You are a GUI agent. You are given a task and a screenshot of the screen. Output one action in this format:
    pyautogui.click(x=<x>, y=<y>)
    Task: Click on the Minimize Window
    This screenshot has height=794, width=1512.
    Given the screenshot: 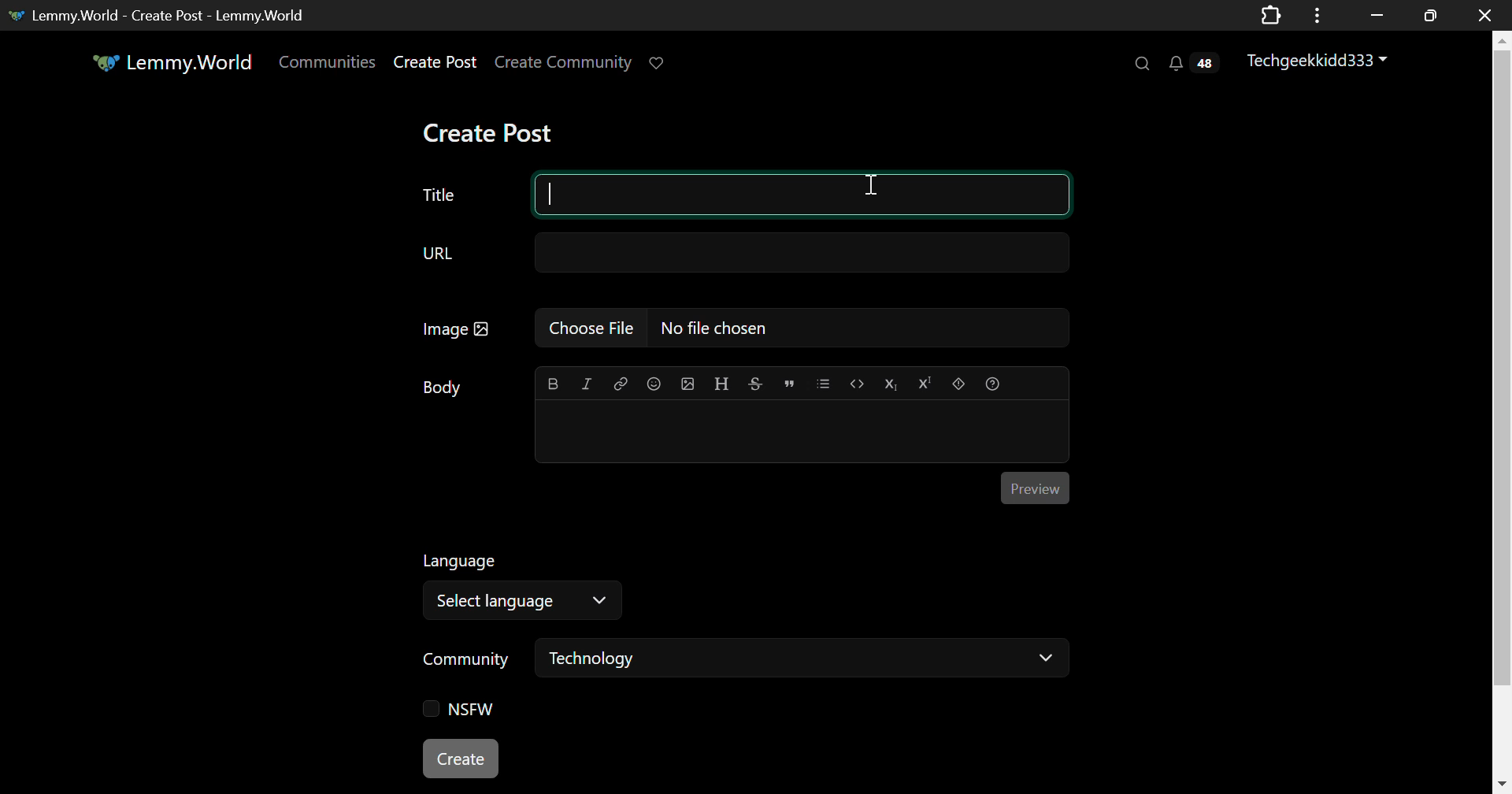 What is the action you would take?
    pyautogui.click(x=1427, y=15)
    